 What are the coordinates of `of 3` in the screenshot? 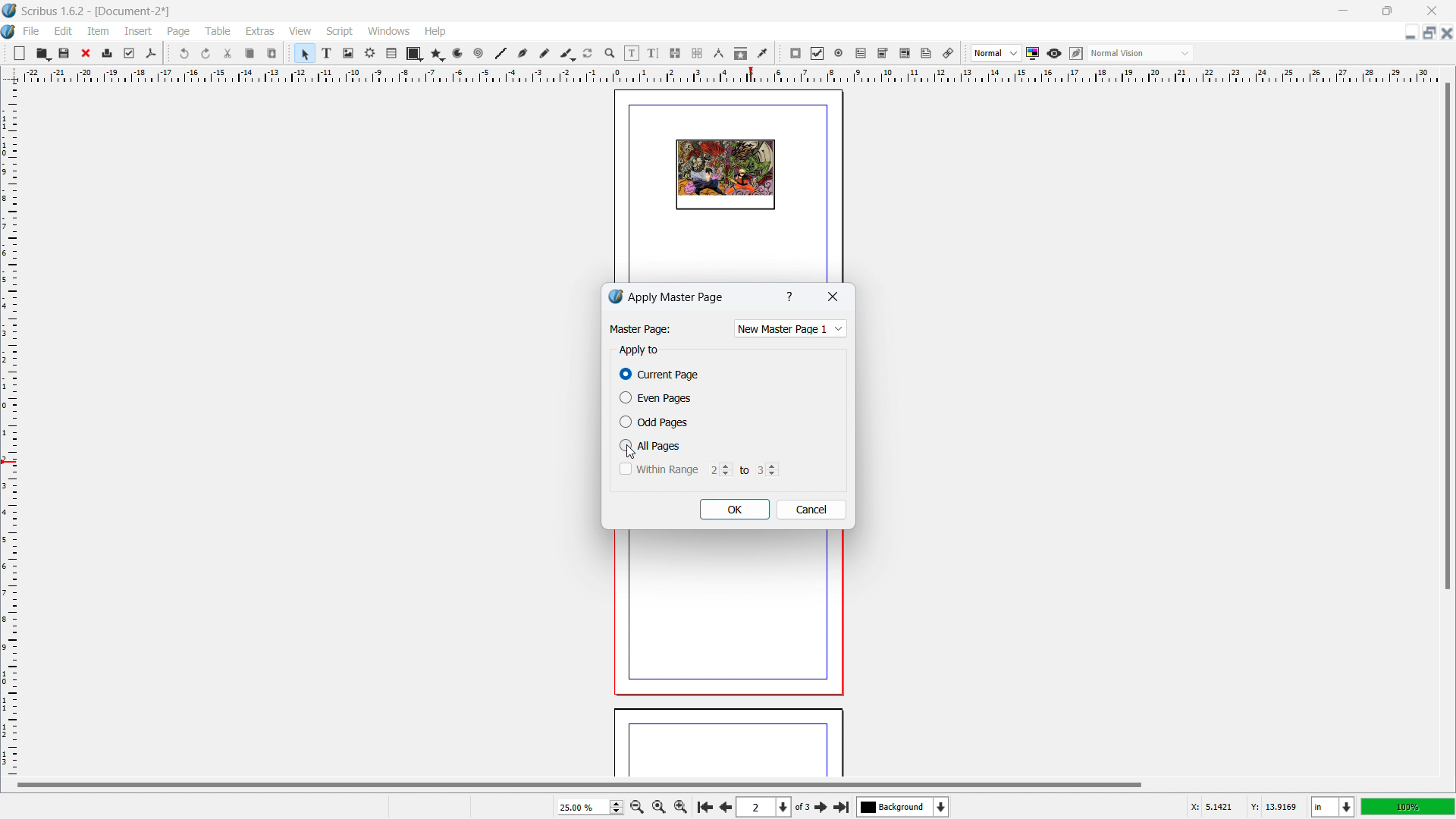 It's located at (802, 808).